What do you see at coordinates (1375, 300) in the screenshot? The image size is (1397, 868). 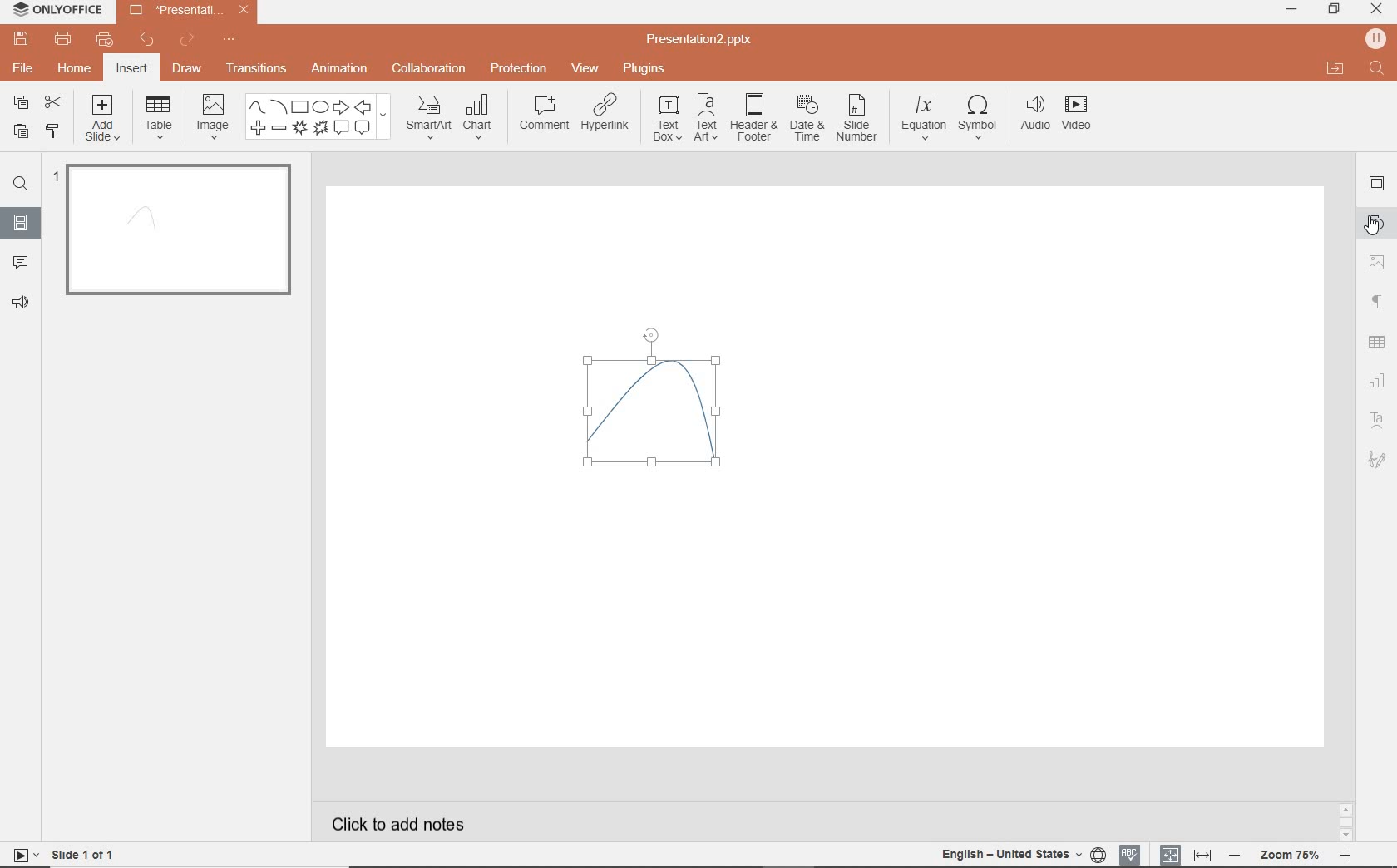 I see `PARAGRAPH SETTINGS` at bounding box center [1375, 300].